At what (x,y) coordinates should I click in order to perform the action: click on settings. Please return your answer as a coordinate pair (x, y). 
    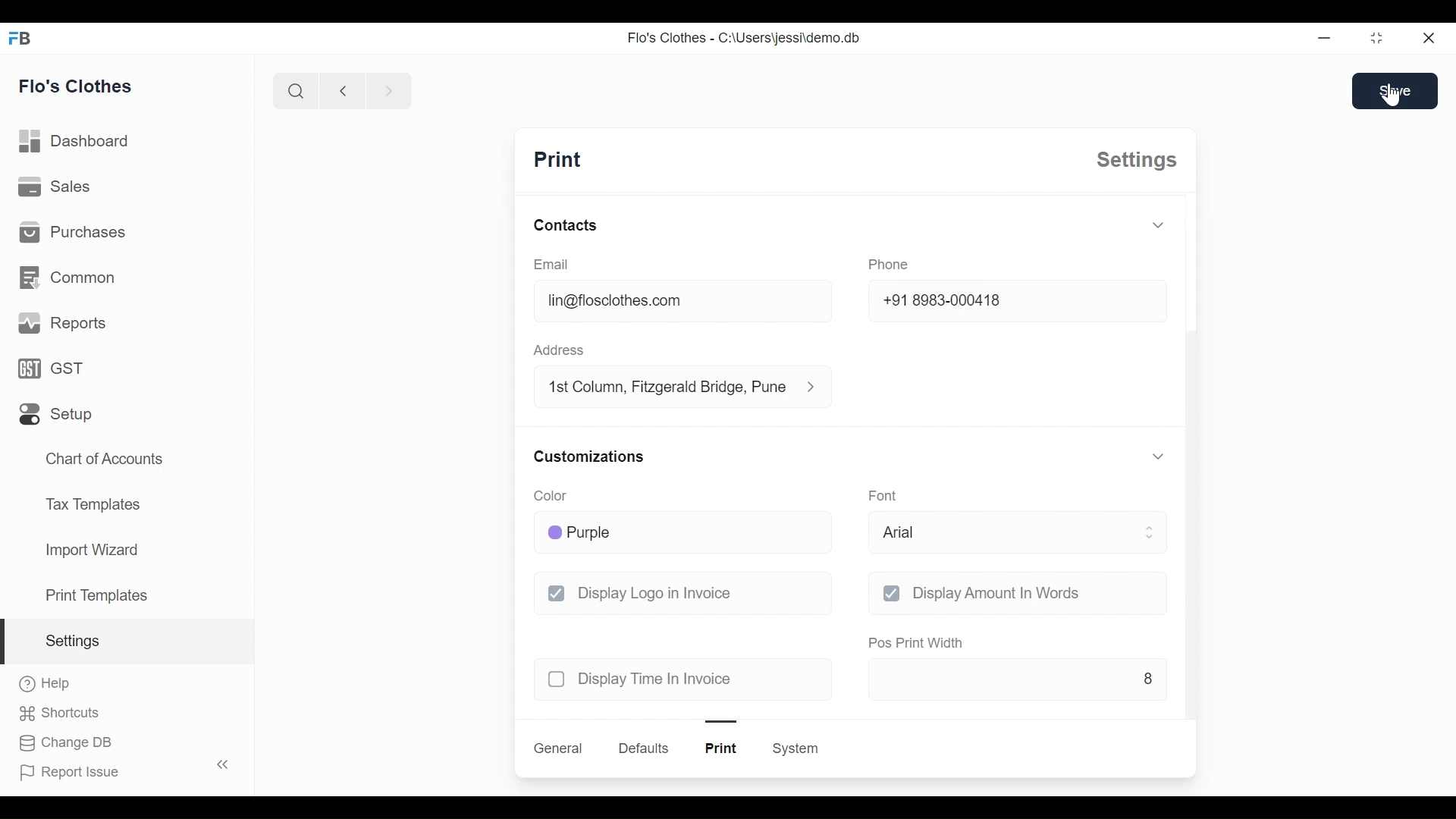
    Looking at the image, I should click on (71, 641).